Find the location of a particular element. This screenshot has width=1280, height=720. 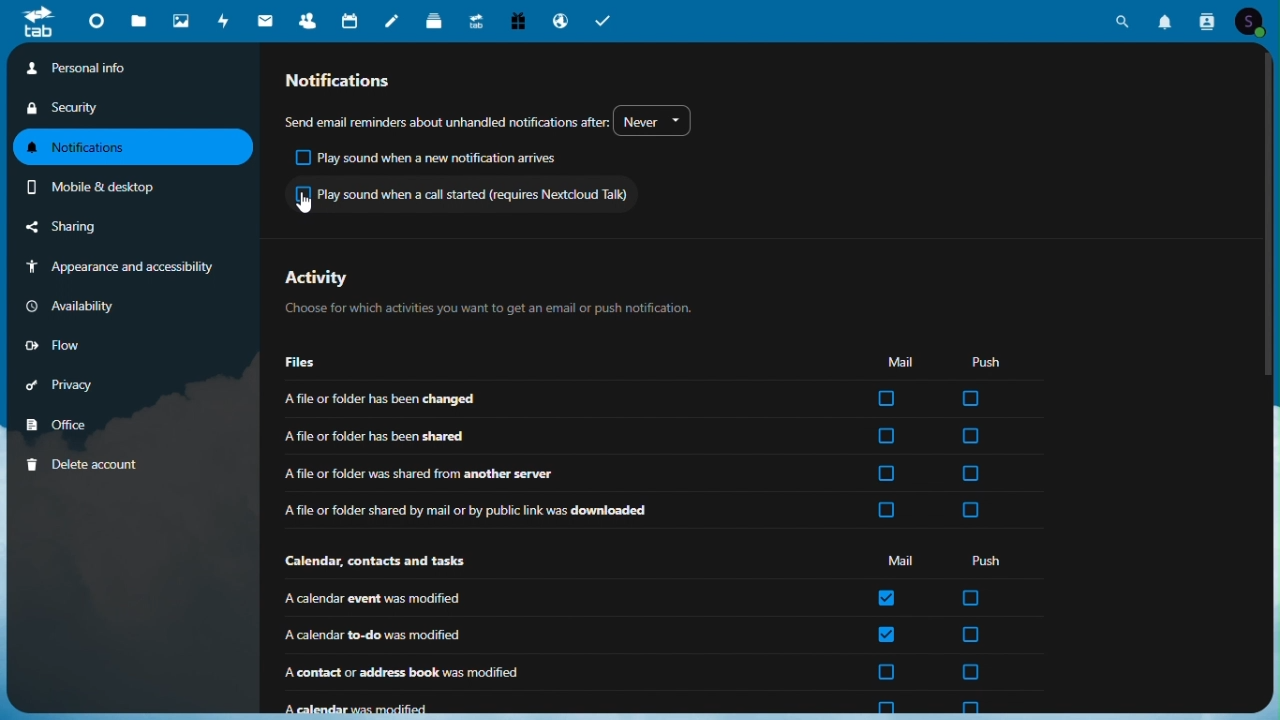

Play sound for new notification is located at coordinates (430, 158).